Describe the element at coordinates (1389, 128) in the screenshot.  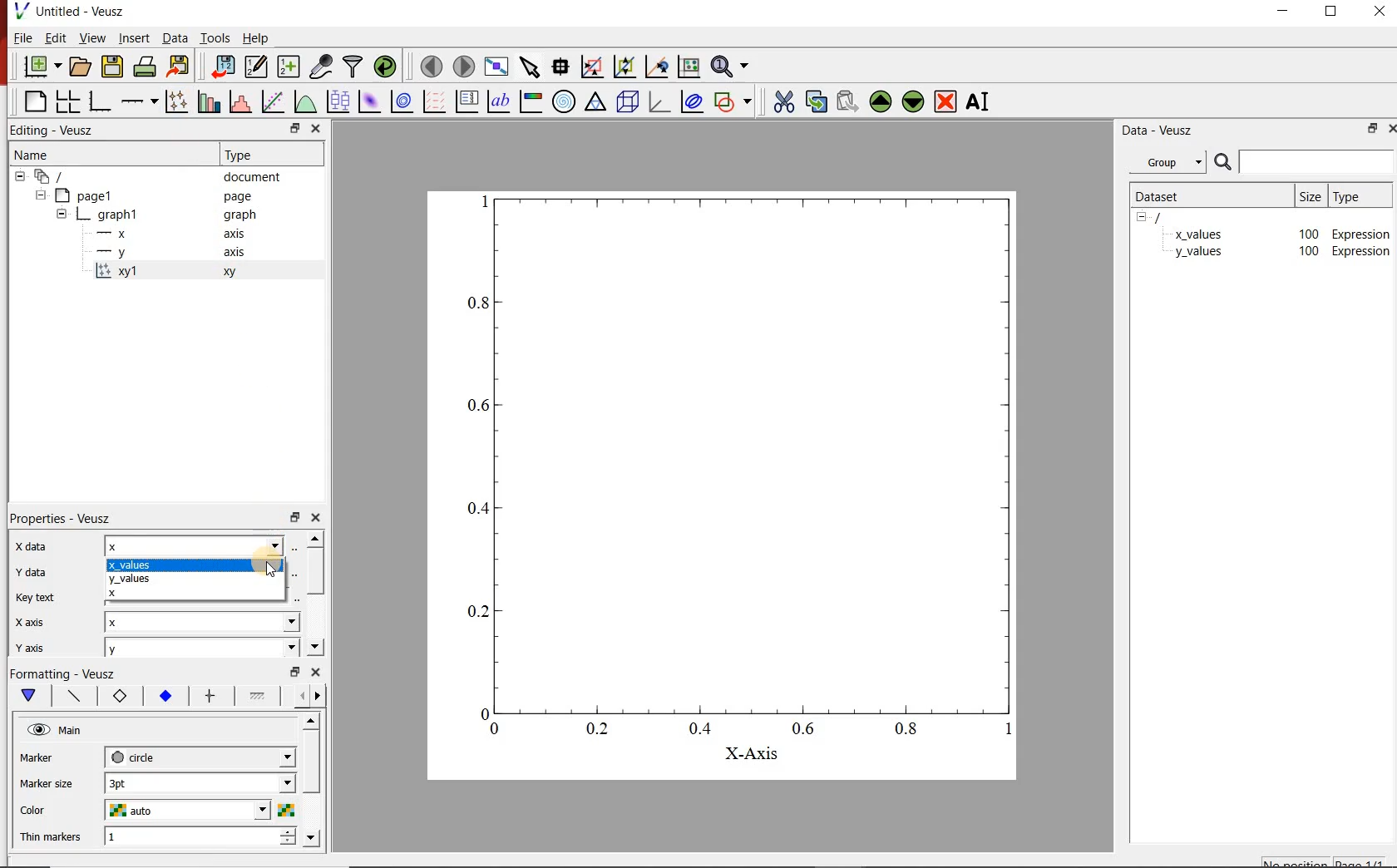
I see `close` at that location.